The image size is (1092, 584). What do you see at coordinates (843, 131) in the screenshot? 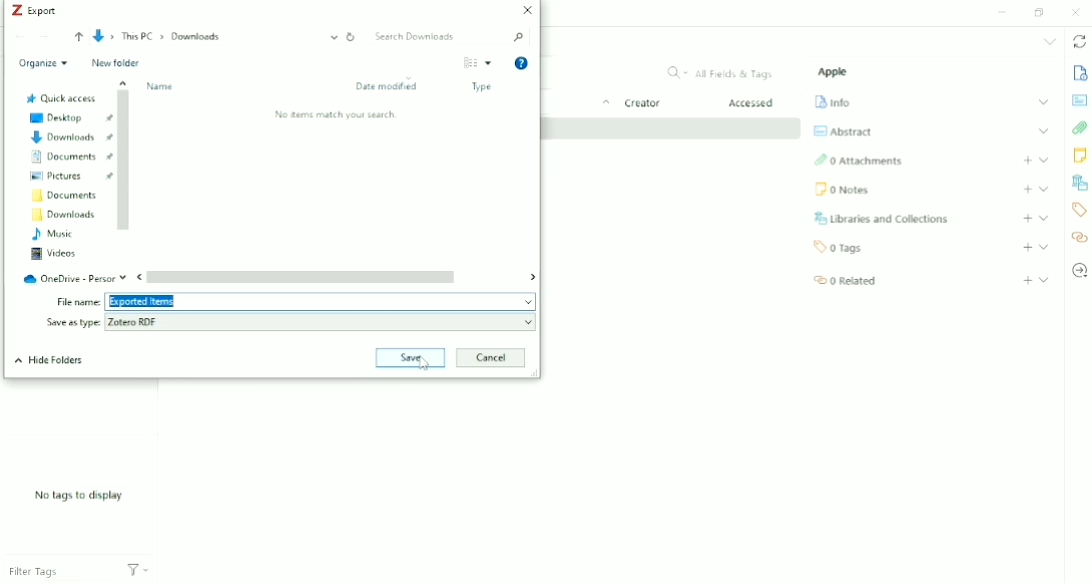
I see `Abstract` at bounding box center [843, 131].